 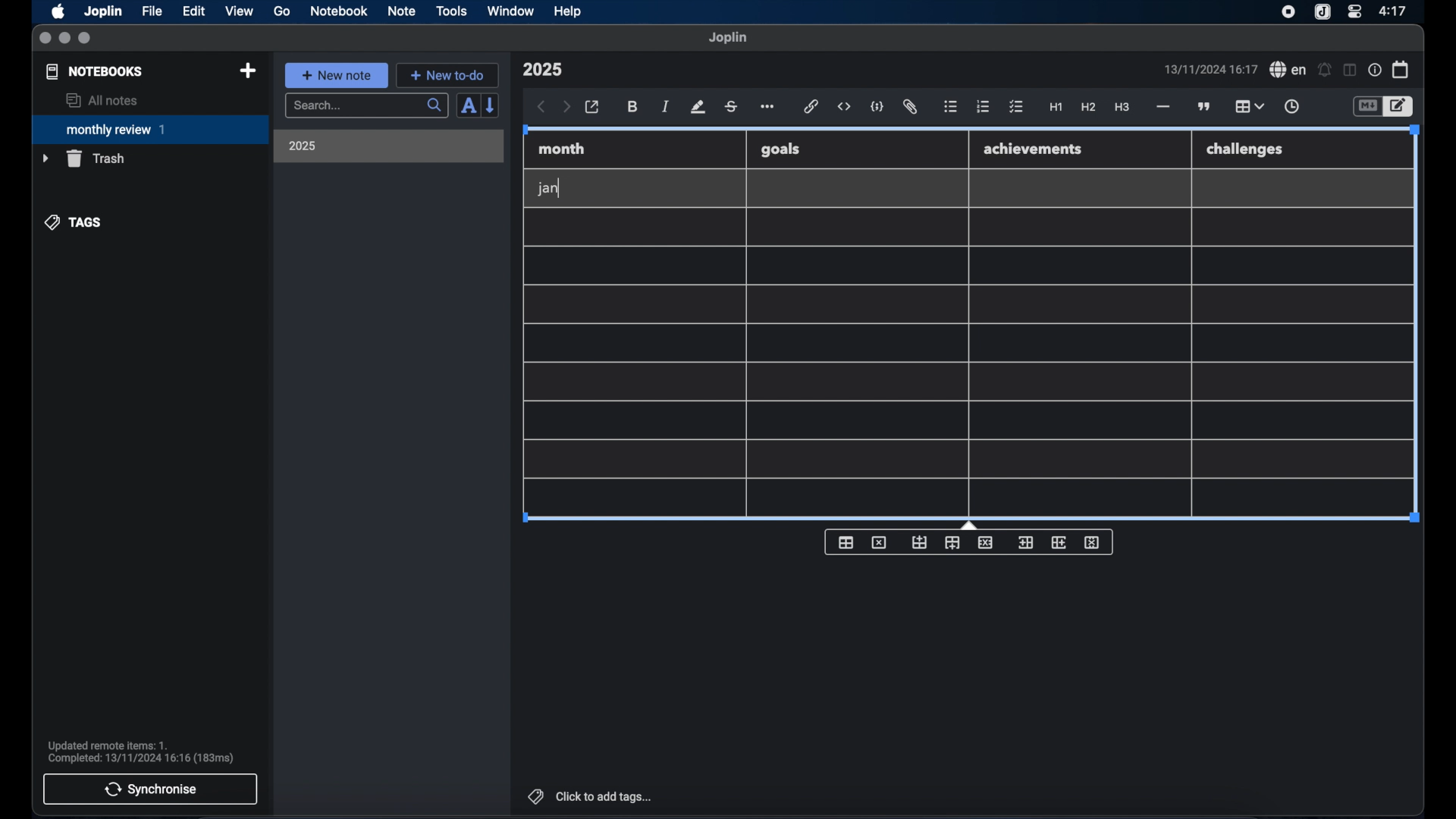 I want to click on set alarm, so click(x=1325, y=71).